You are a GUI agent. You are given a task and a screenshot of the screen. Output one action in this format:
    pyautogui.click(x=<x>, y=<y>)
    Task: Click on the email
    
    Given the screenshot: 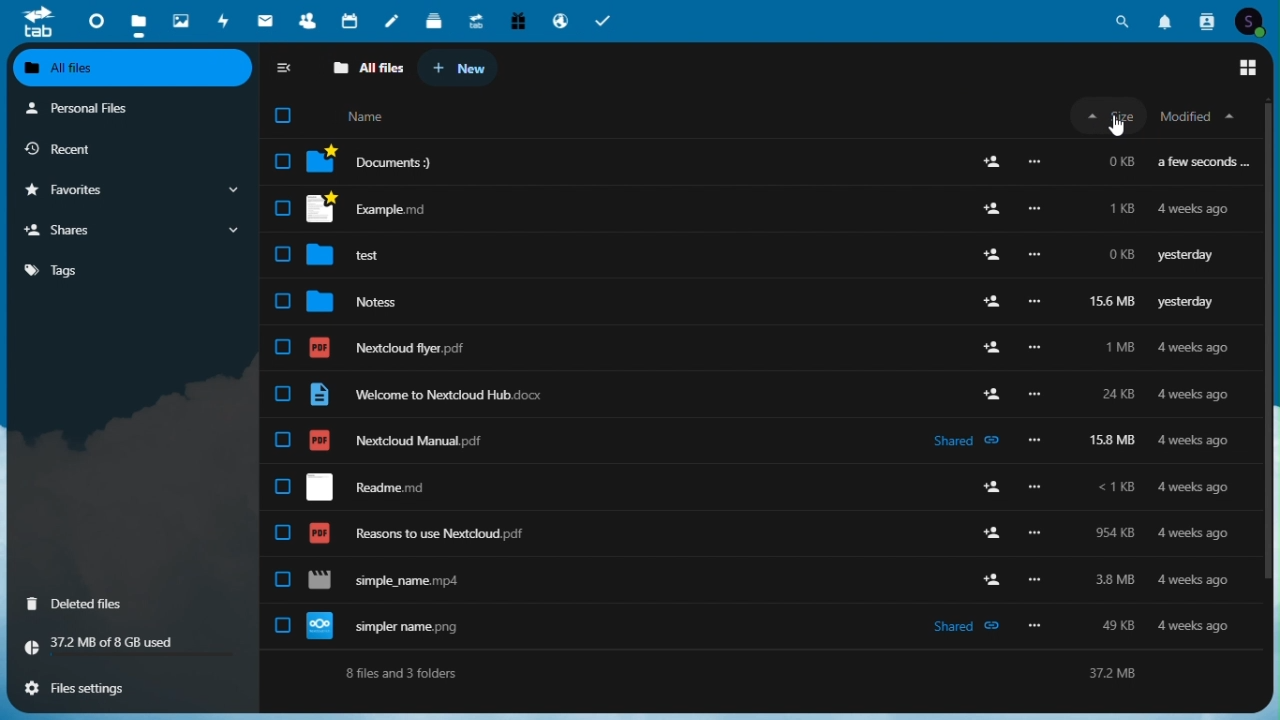 What is the action you would take?
    pyautogui.click(x=265, y=21)
    